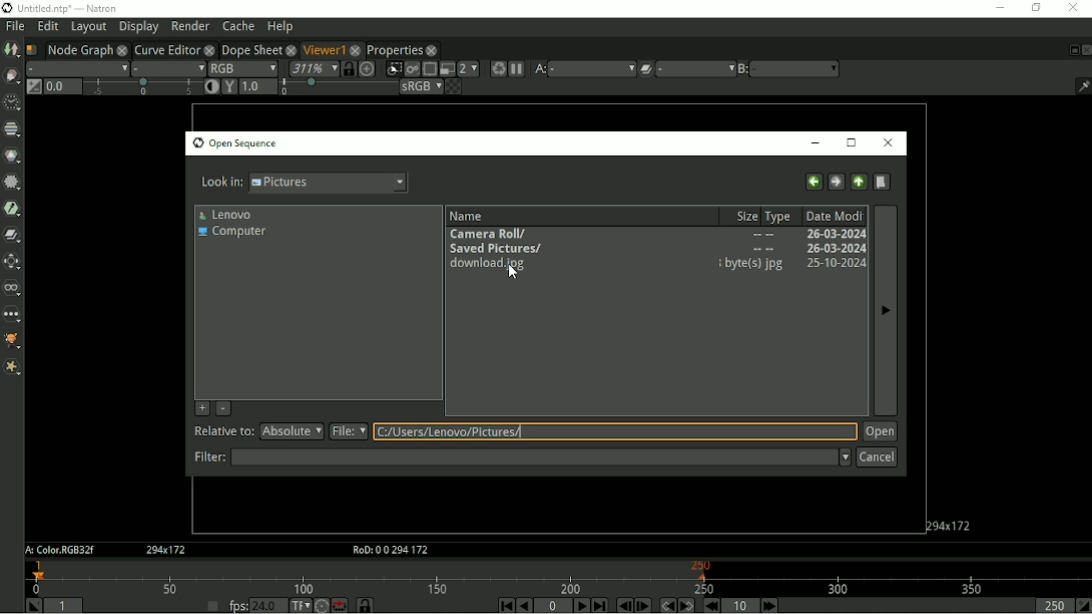 This screenshot has width=1092, height=614. I want to click on Date Modified, so click(832, 216).